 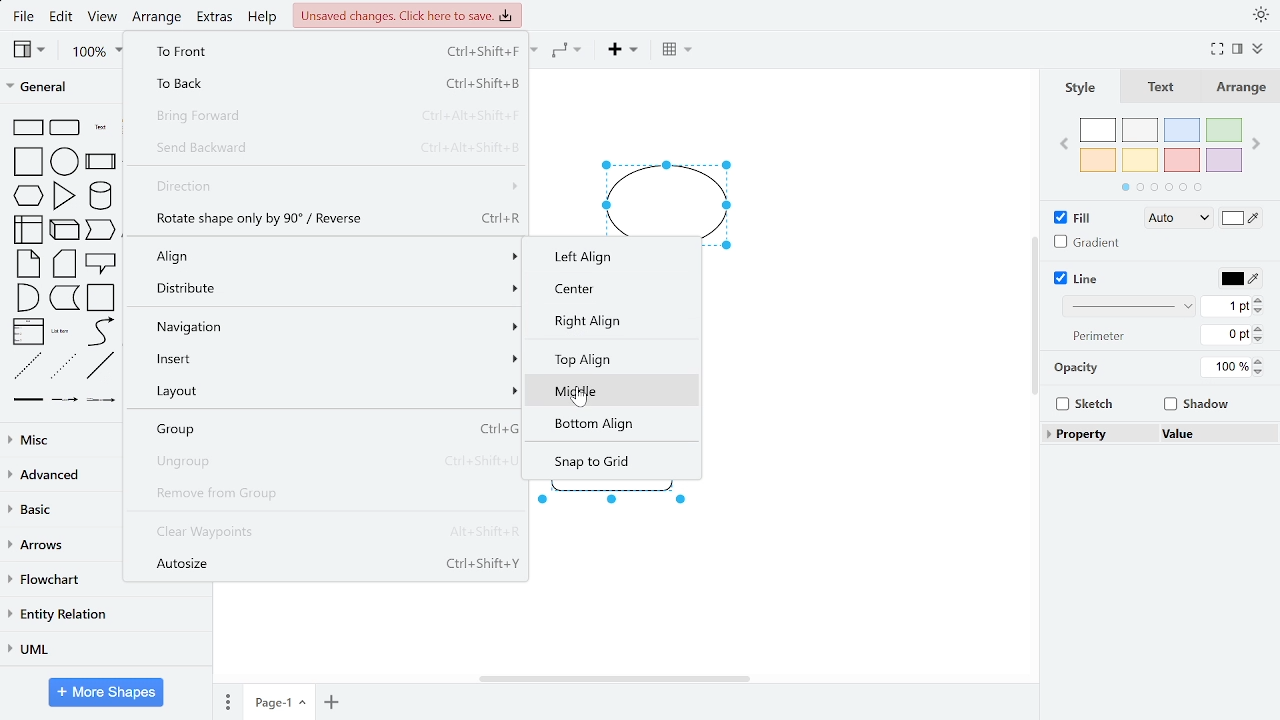 I want to click on top align, so click(x=614, y=361).